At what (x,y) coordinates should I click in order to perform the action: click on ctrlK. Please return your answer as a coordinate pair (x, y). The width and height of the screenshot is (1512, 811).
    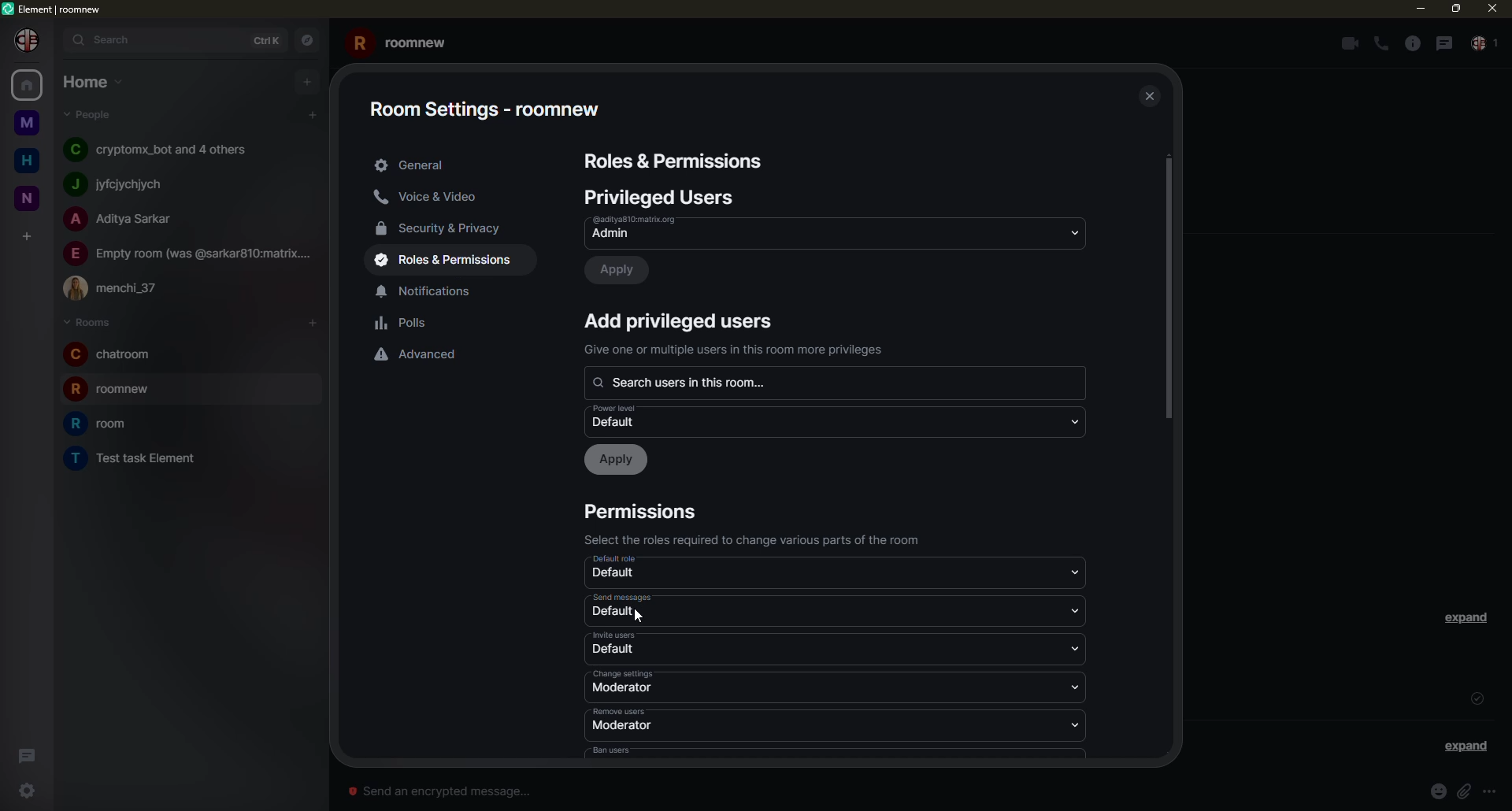
    Looking at the image, I should click on (270, 39).